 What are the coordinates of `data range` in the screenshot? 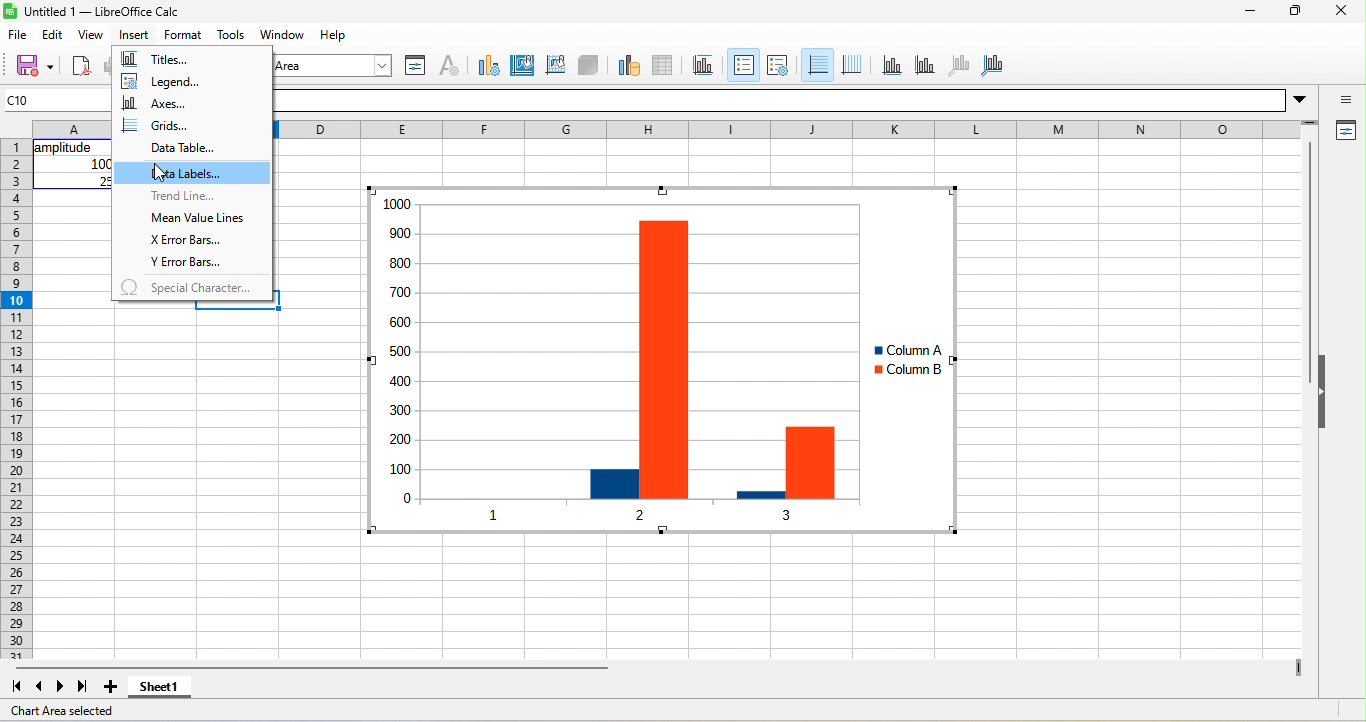 It's located at (626, 64).